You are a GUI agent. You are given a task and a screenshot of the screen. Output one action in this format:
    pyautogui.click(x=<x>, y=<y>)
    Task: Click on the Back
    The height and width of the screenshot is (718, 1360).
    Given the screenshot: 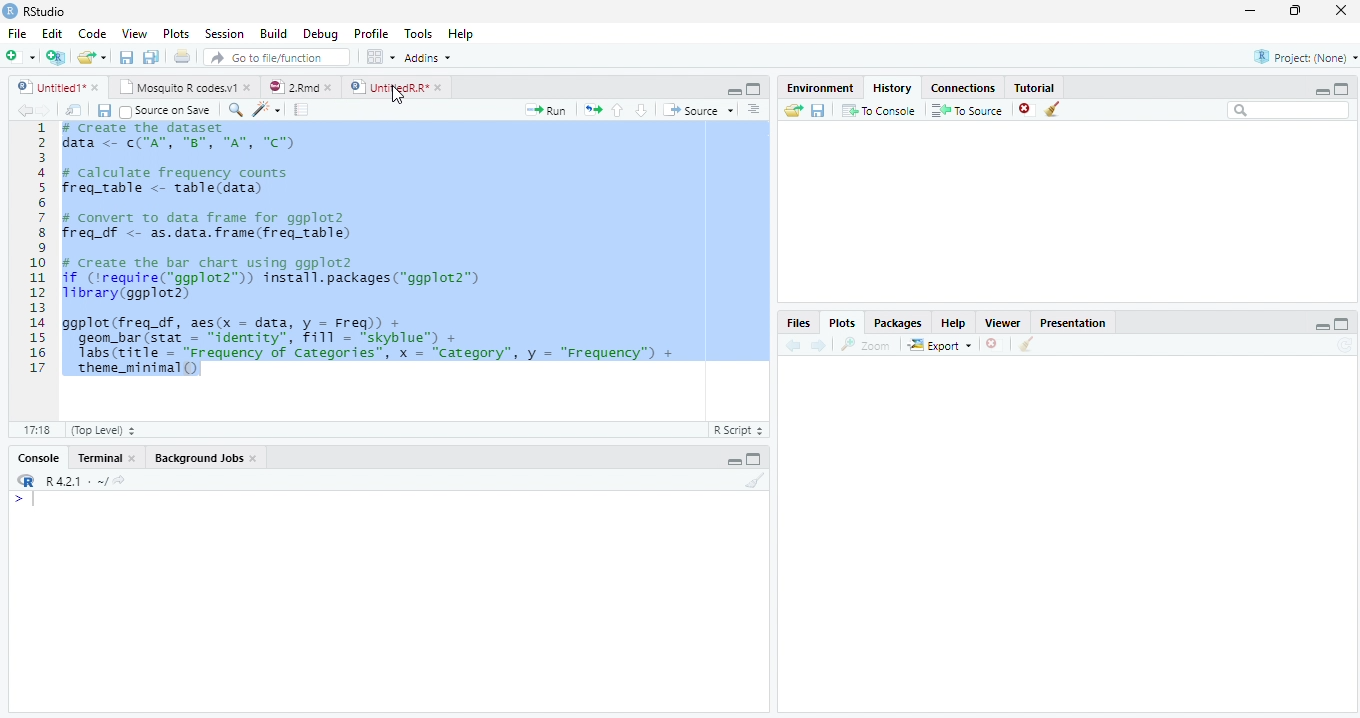 What is the action you would take?
    pyautogui.click(x=23, y=110)
    